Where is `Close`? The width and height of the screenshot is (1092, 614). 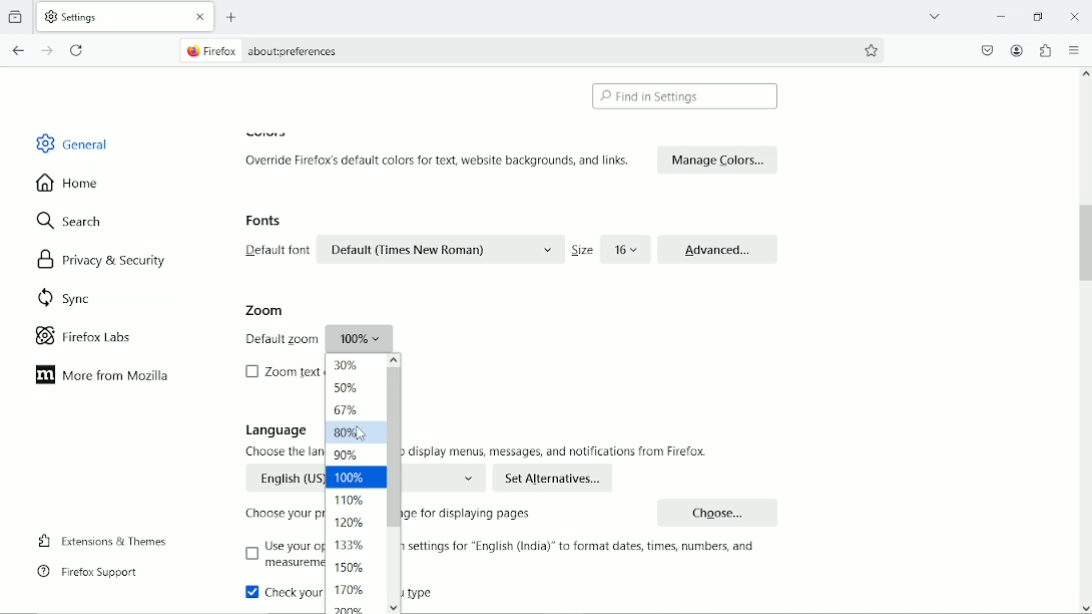
Close is located at coordinates (1074, 15).